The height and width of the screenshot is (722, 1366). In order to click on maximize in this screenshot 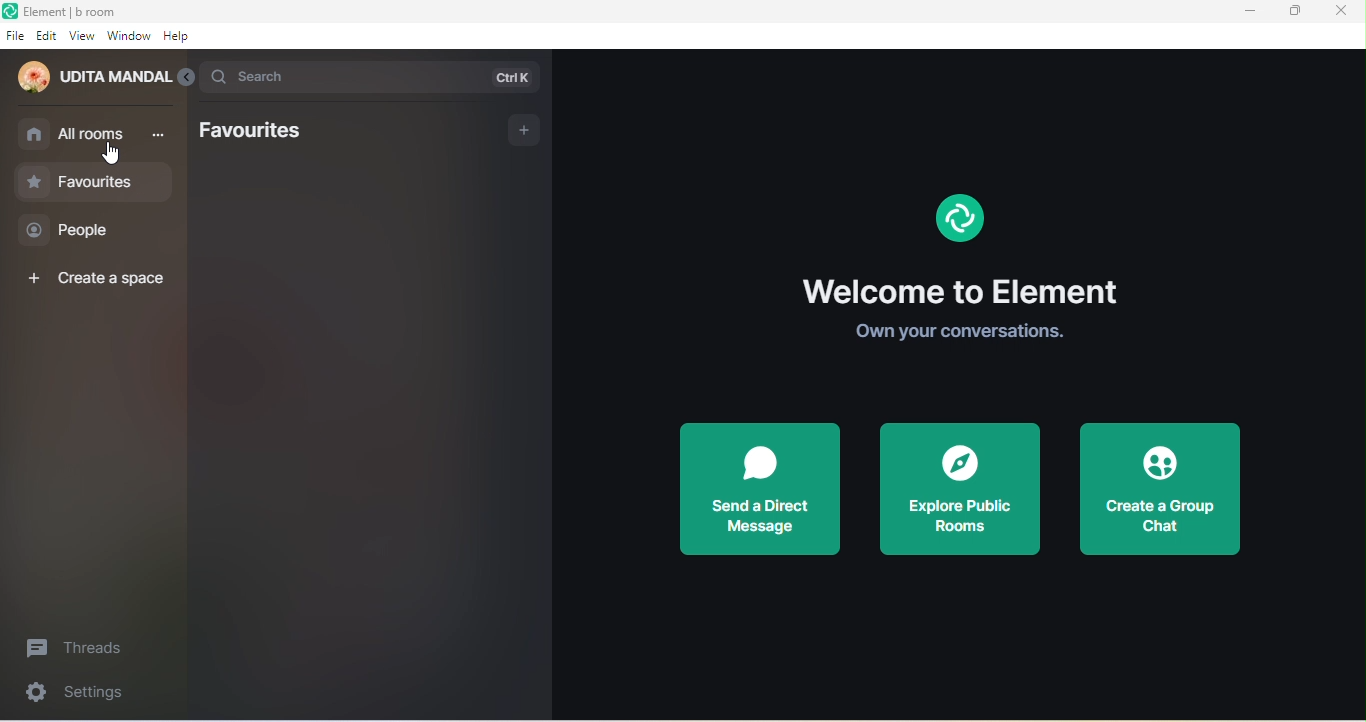, I will do `click(1296, 11)`.